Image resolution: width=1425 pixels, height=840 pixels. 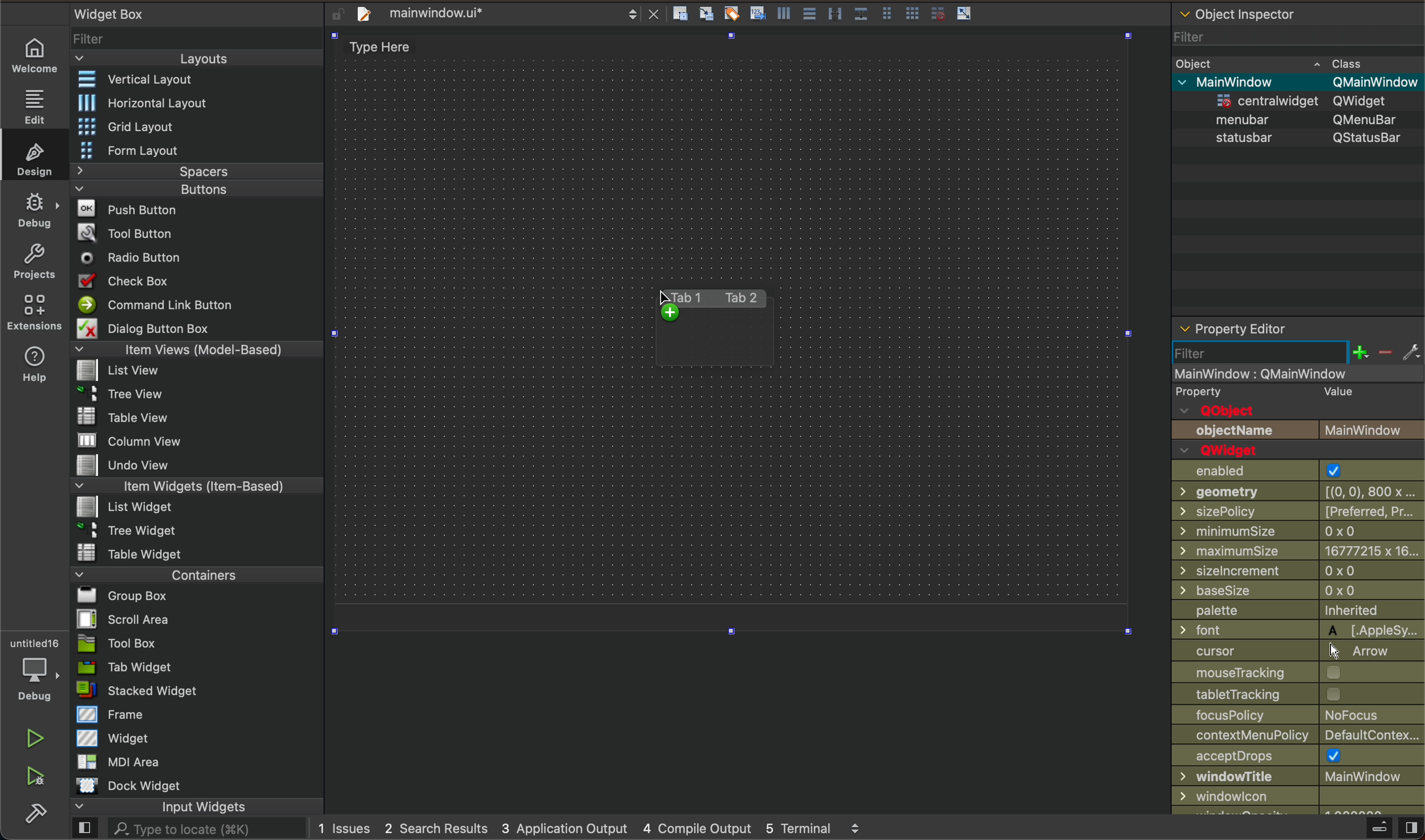 I want to click on run, so click(x=23, y=737).